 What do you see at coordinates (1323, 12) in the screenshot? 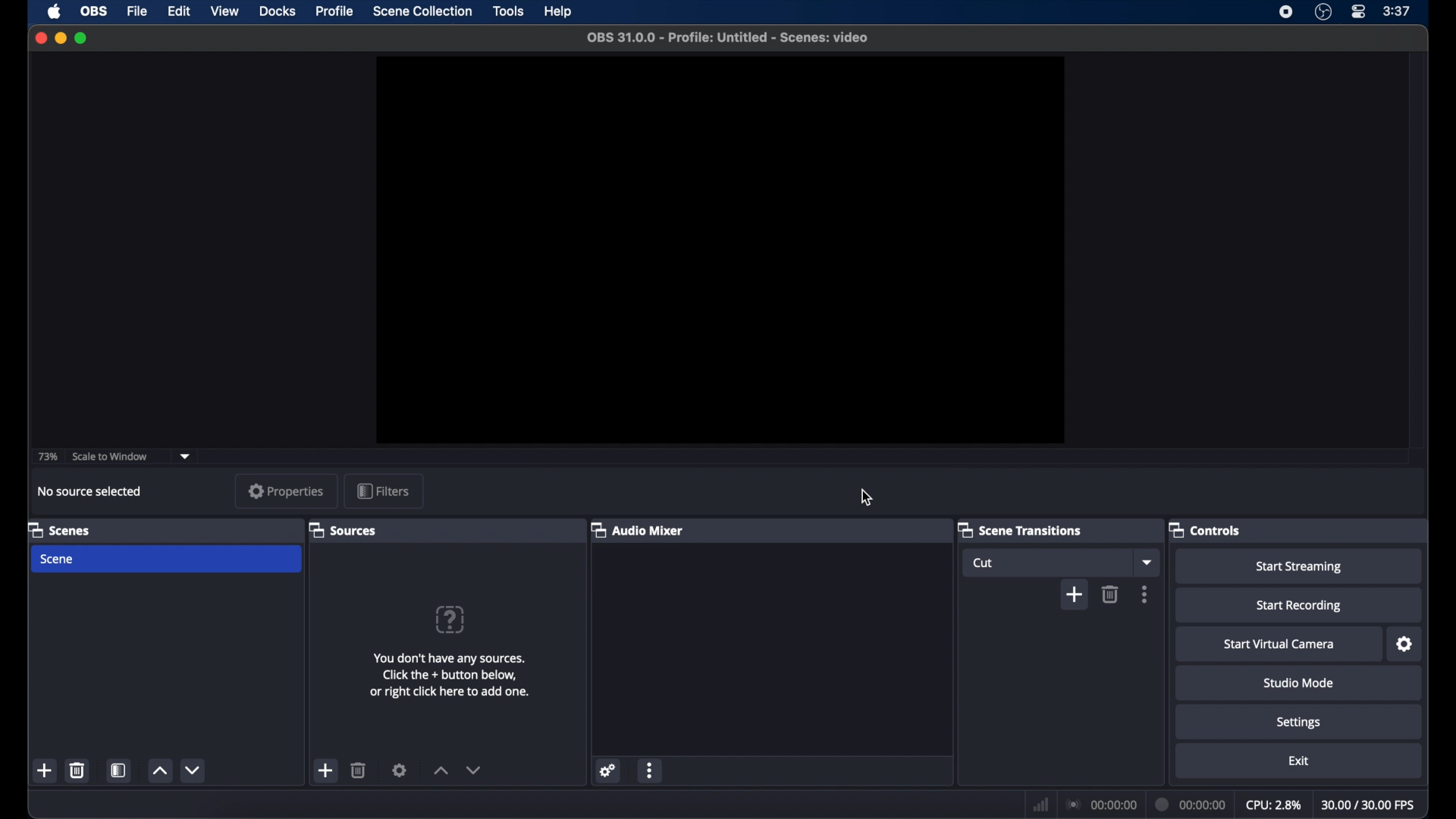
I see `obs studio` at bounding box center [1323, 12].